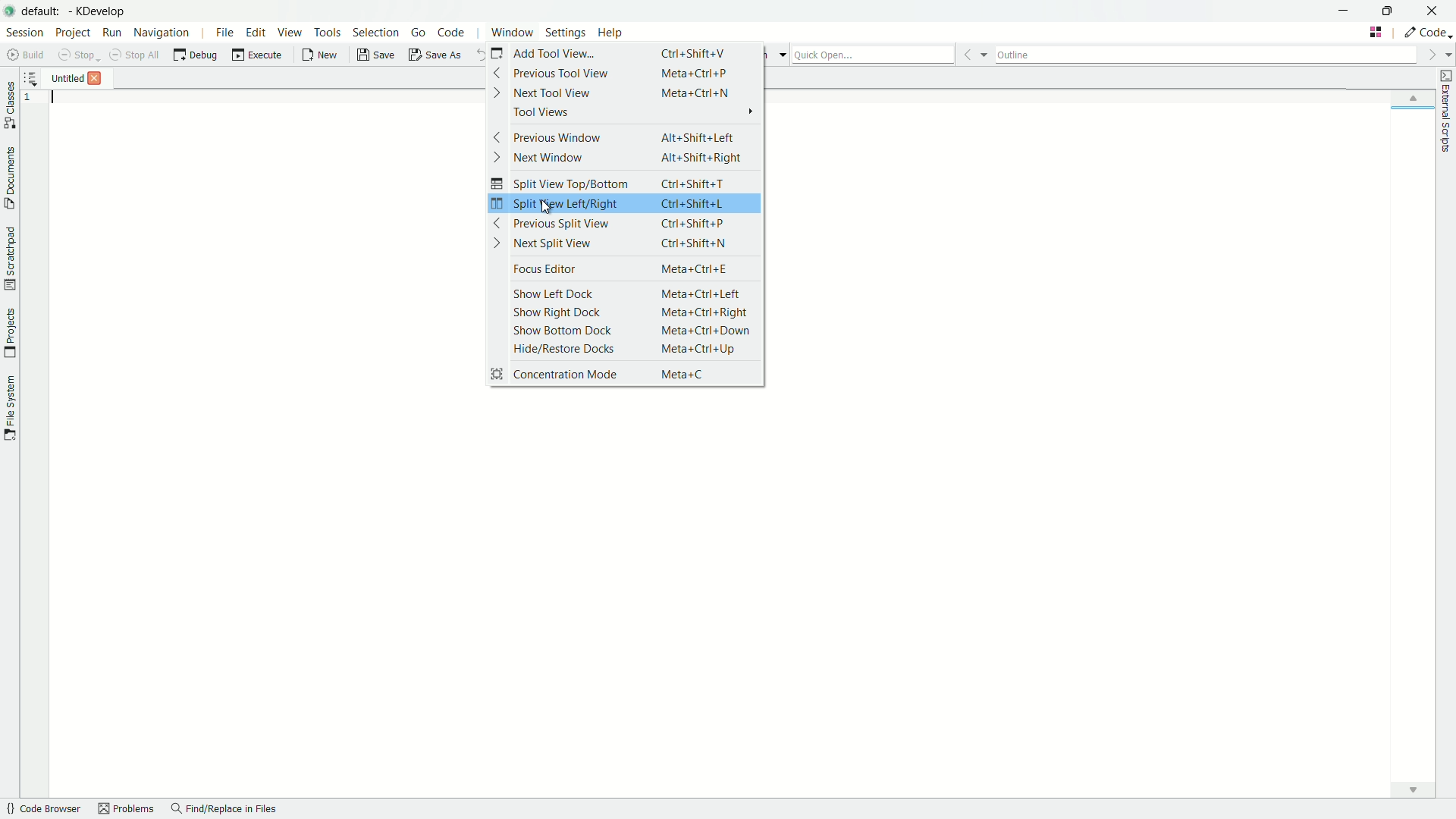 Image resolution: width=1456 pixels, height=819 pixels. Describe the element at coordinates (693, 223) in the screenshot. I see `ctrl+Shift+P` at that location.